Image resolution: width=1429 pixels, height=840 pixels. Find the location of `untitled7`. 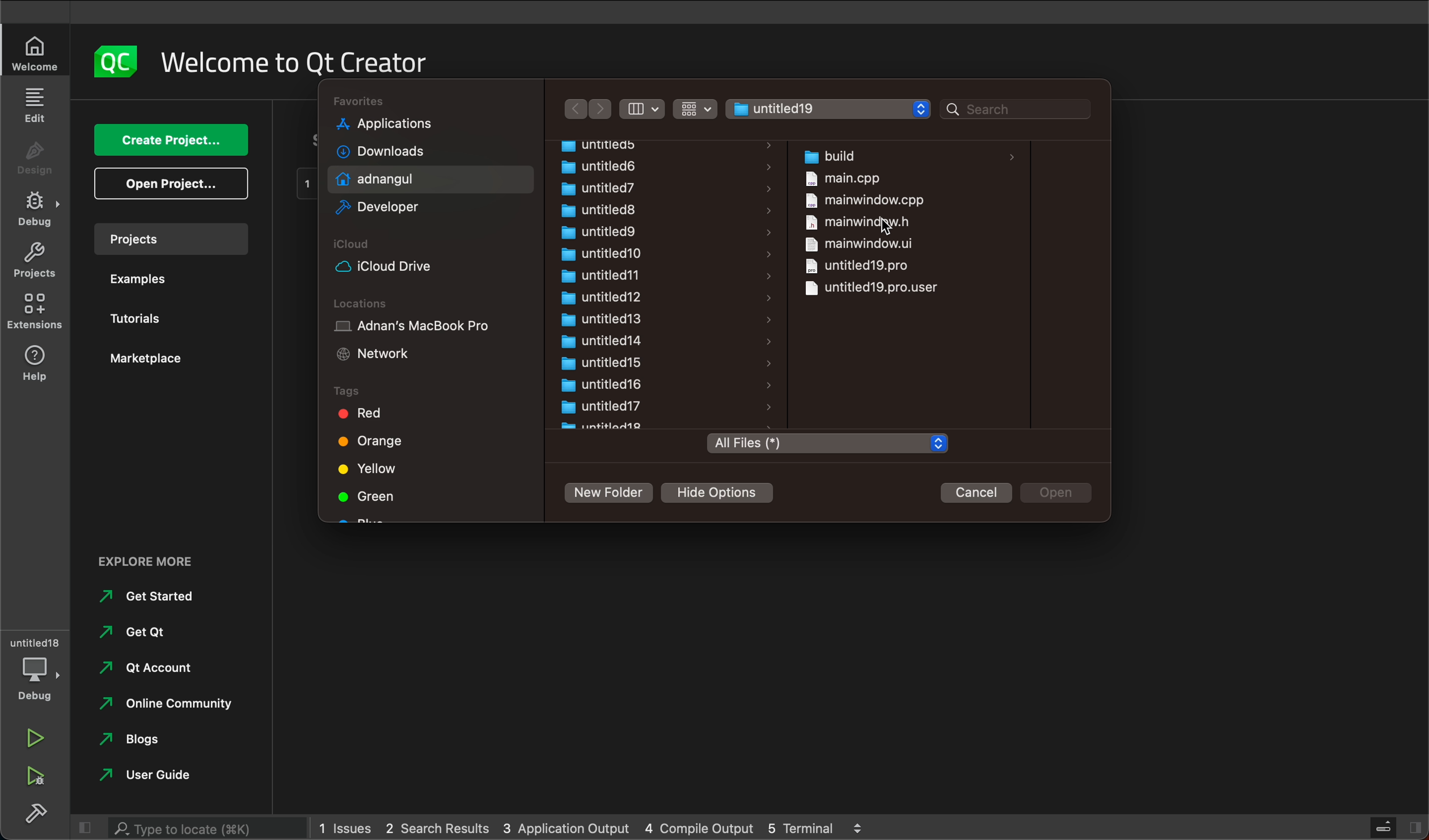

untitled7 is located at coordinates (604, 186).